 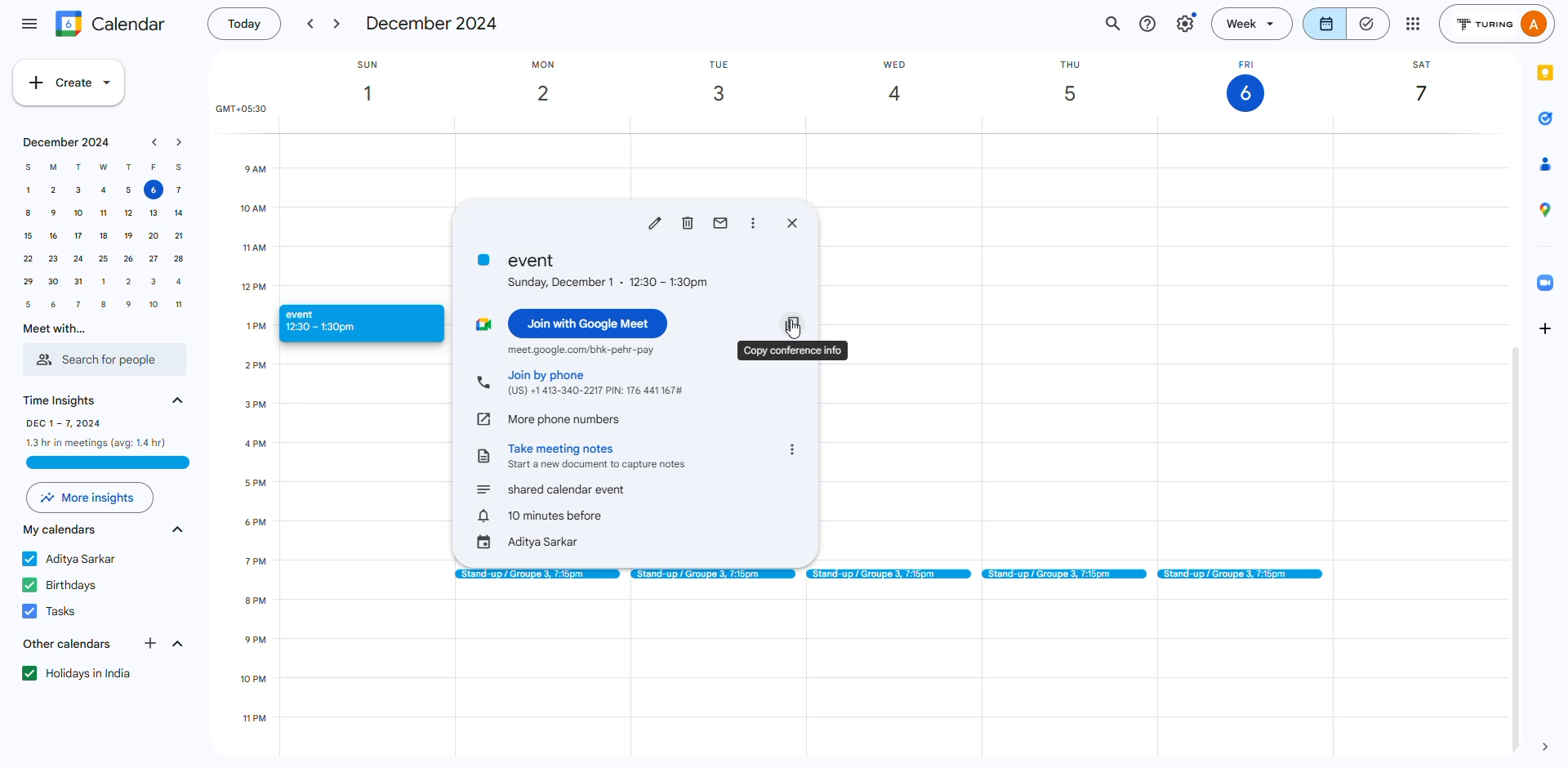 What do you see at coordinates (1499, 24) in the screenshot?
I see `account` at bounding box center [1499, 24].